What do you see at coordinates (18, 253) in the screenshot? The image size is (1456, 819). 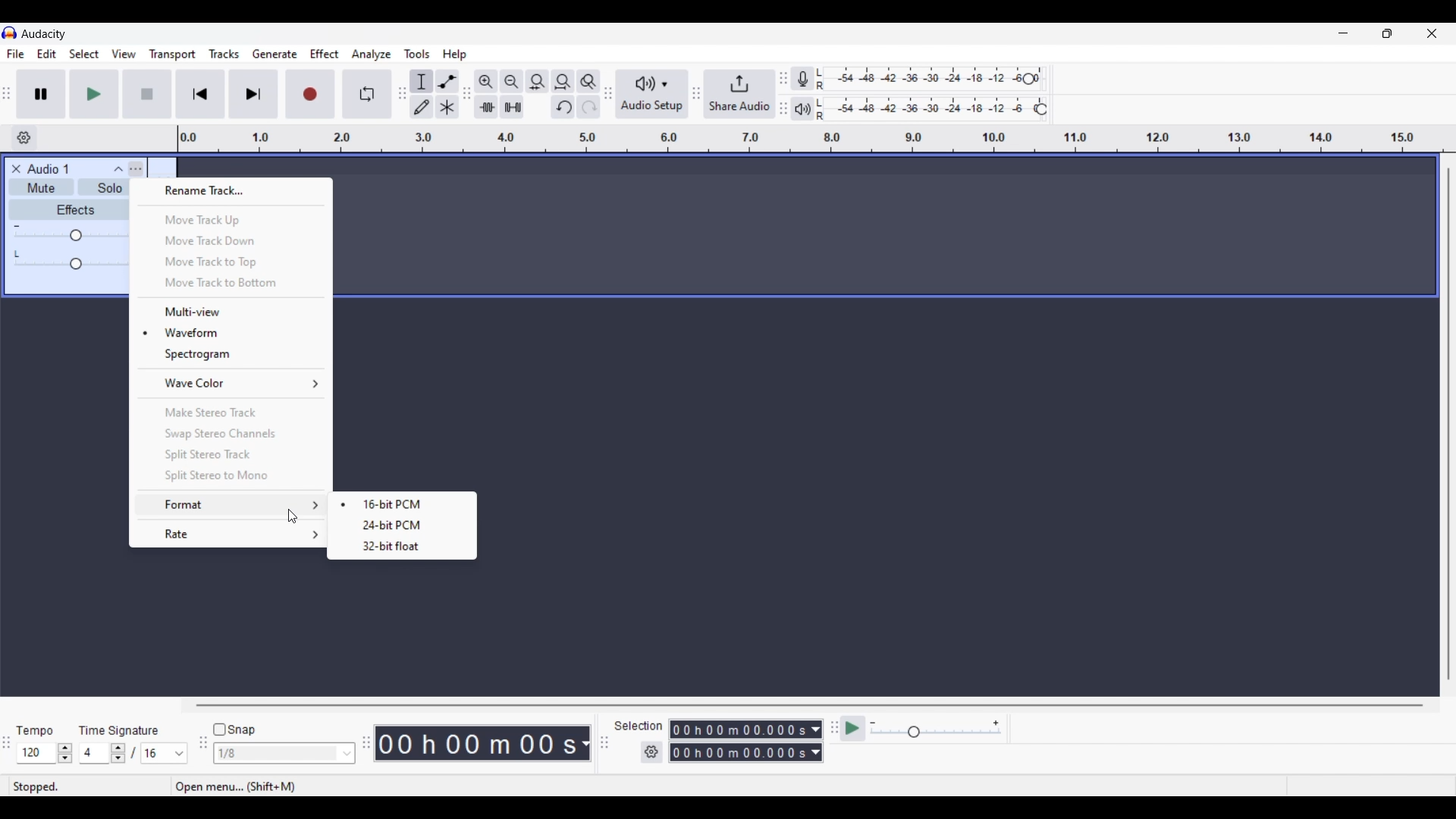 I see `L` at bounding box center [18, 253].